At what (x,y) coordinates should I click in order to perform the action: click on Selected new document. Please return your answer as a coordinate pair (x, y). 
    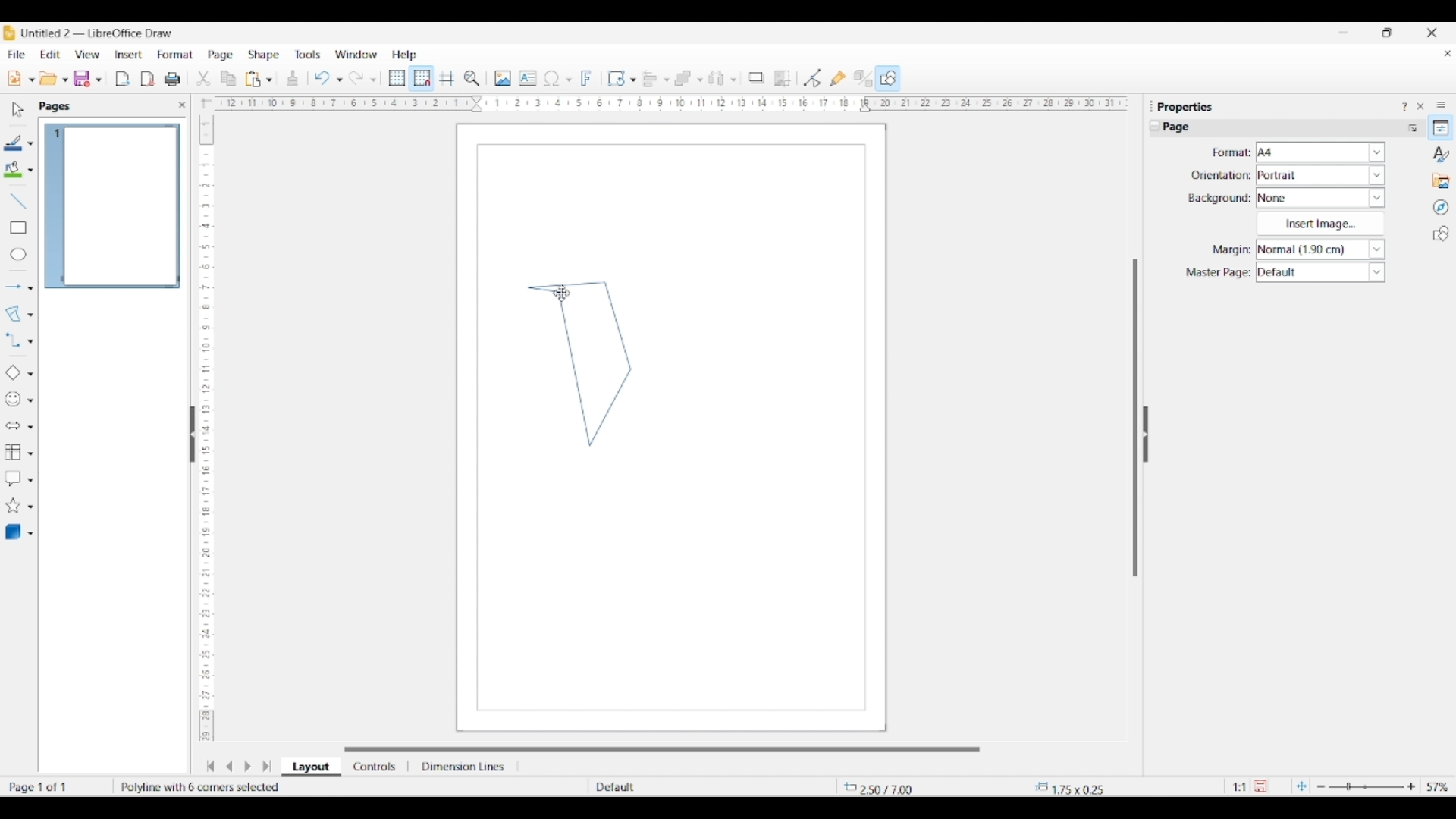
    Looking at the image, I should click on (14, 78).